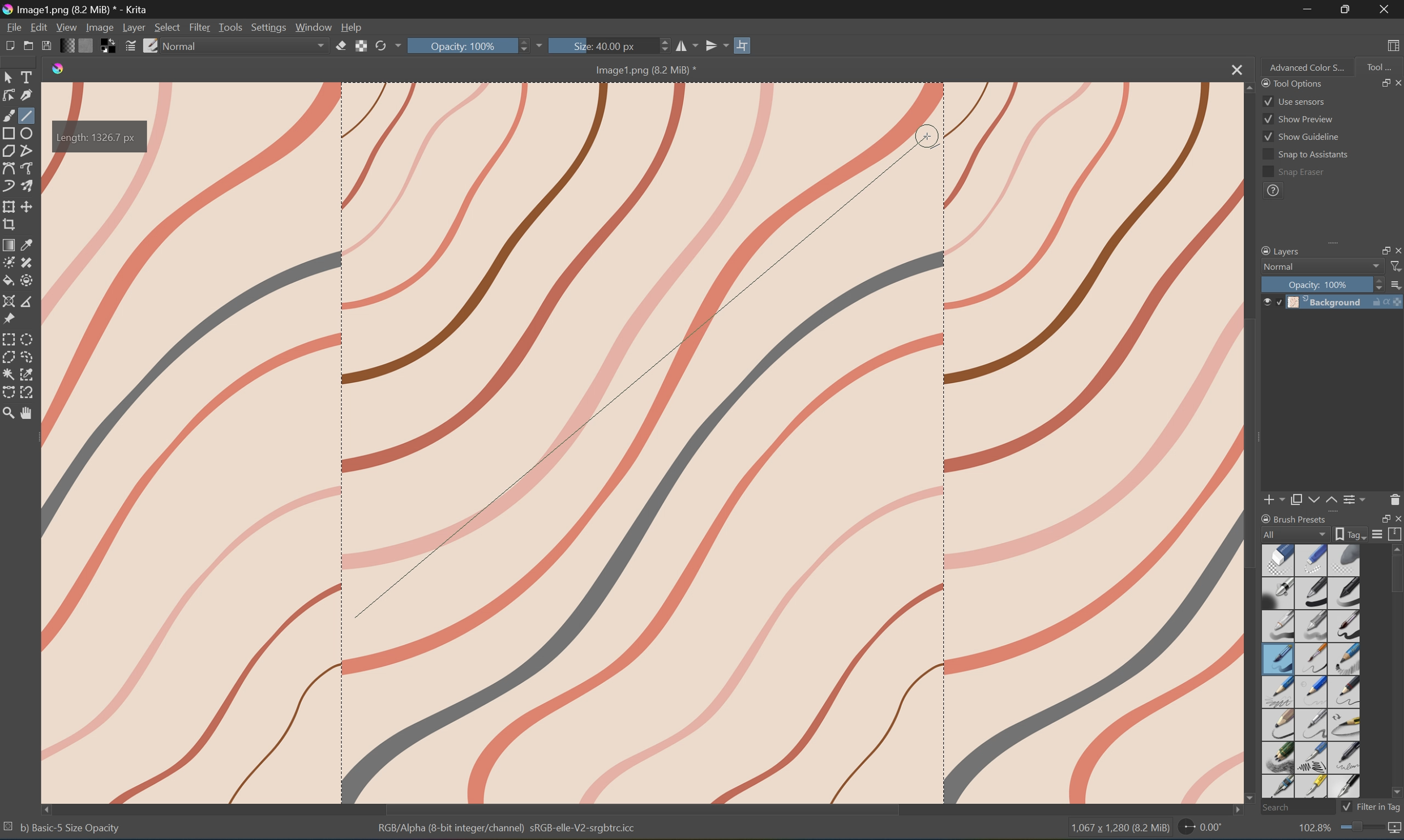 The width and height of the screenshot is (1404, 840). I want to click on Calligraphy, so click(27, 95).